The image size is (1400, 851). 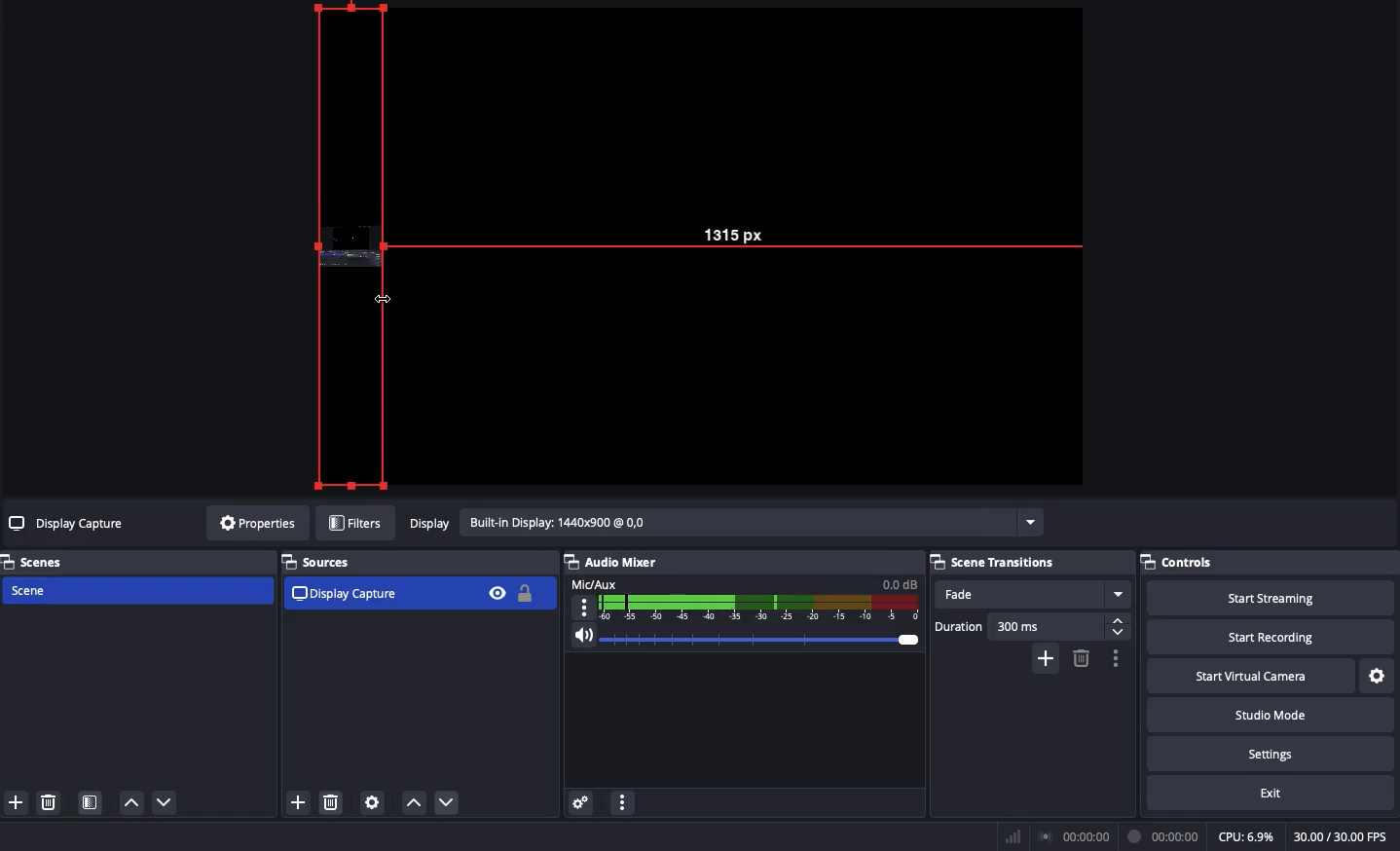 What do you see at coordinates (1164, 836) in the screenshot?
I see `Recording ` at bounding box center [1164, 836].